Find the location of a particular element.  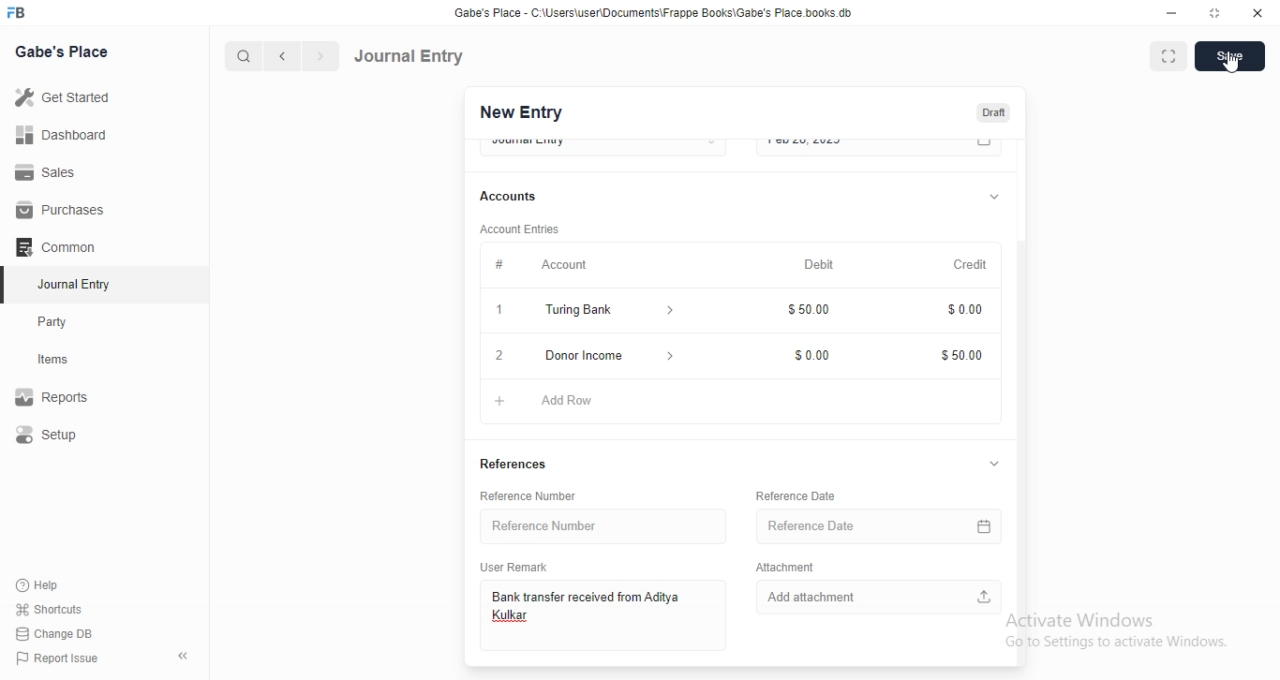

Entry Type is located at coordinates (602, 145).